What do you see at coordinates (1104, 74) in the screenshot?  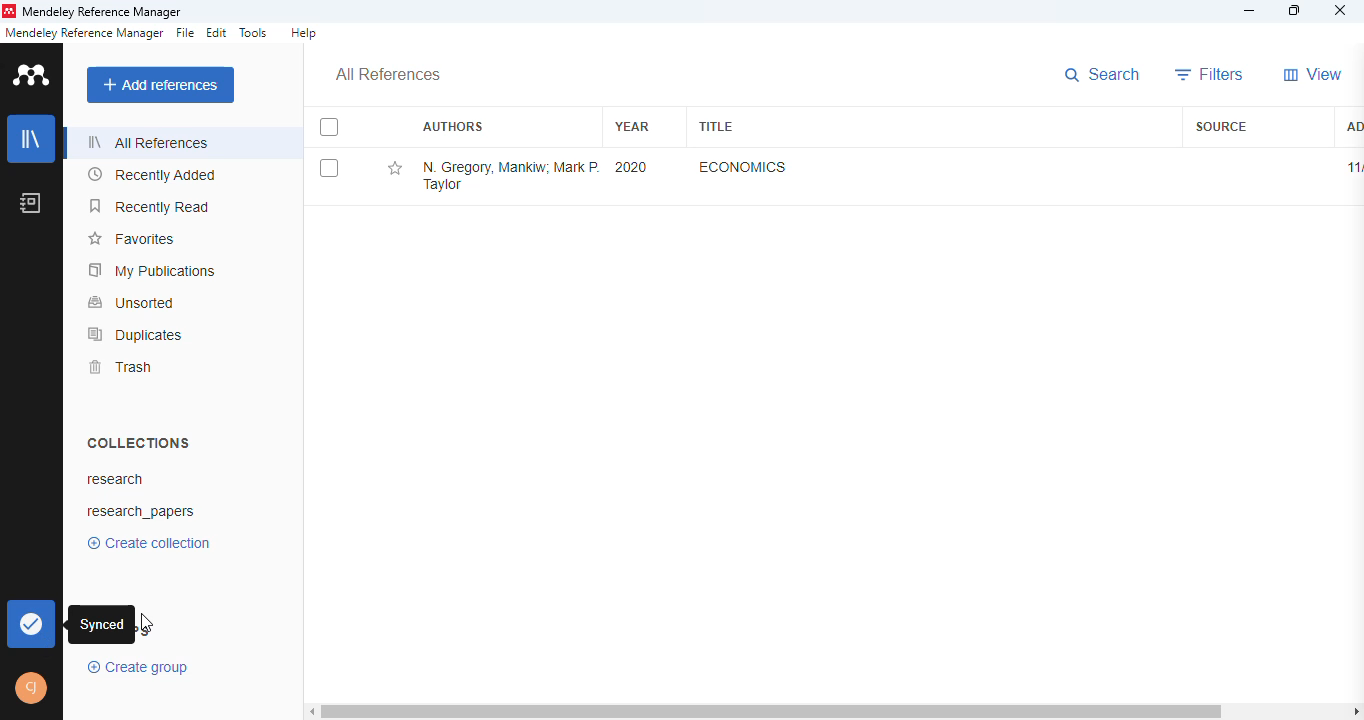 I see `search` at bounding box center [1104, 74].